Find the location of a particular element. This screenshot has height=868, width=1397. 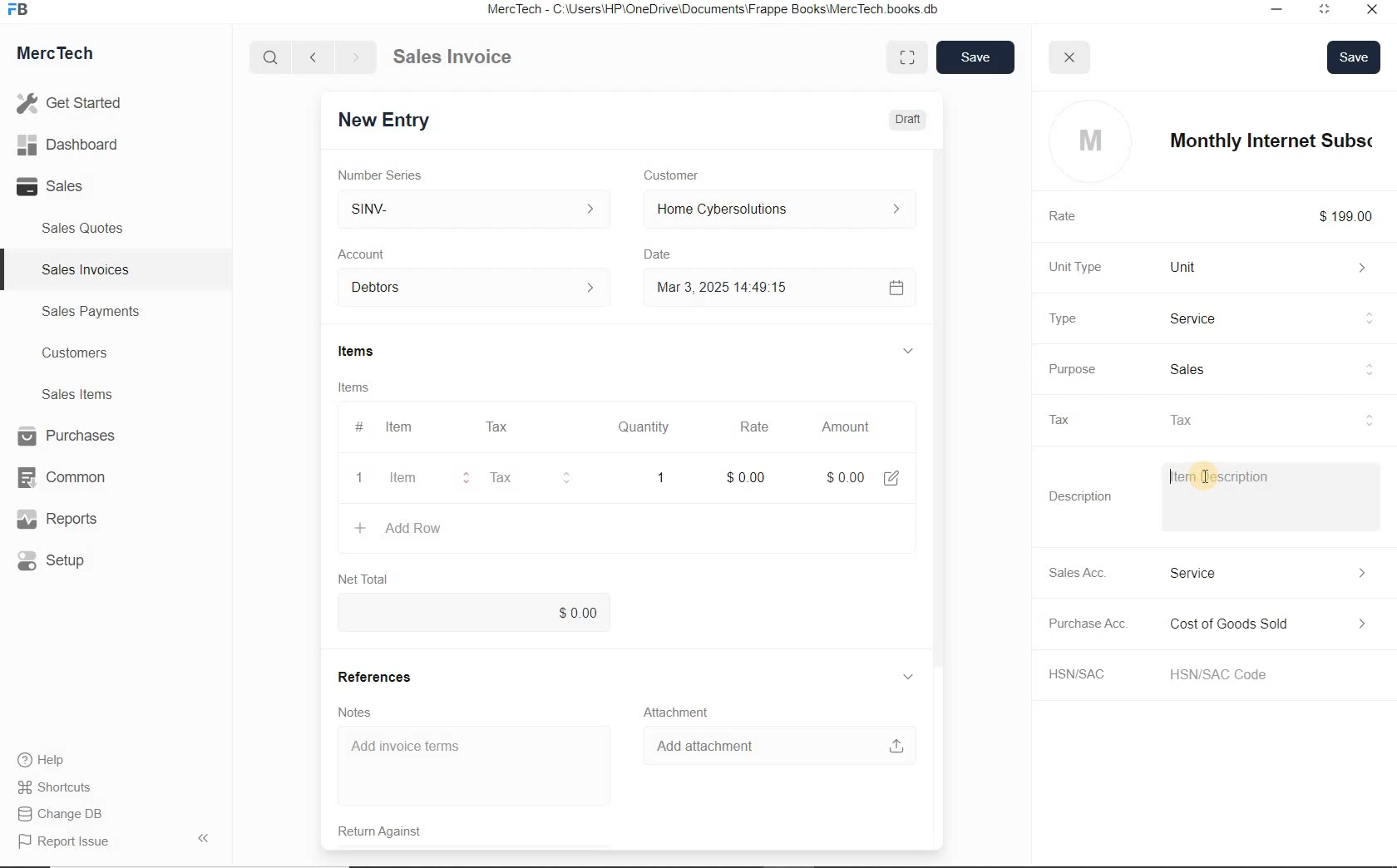

Sales Payments is located at coordinates (88, 312).